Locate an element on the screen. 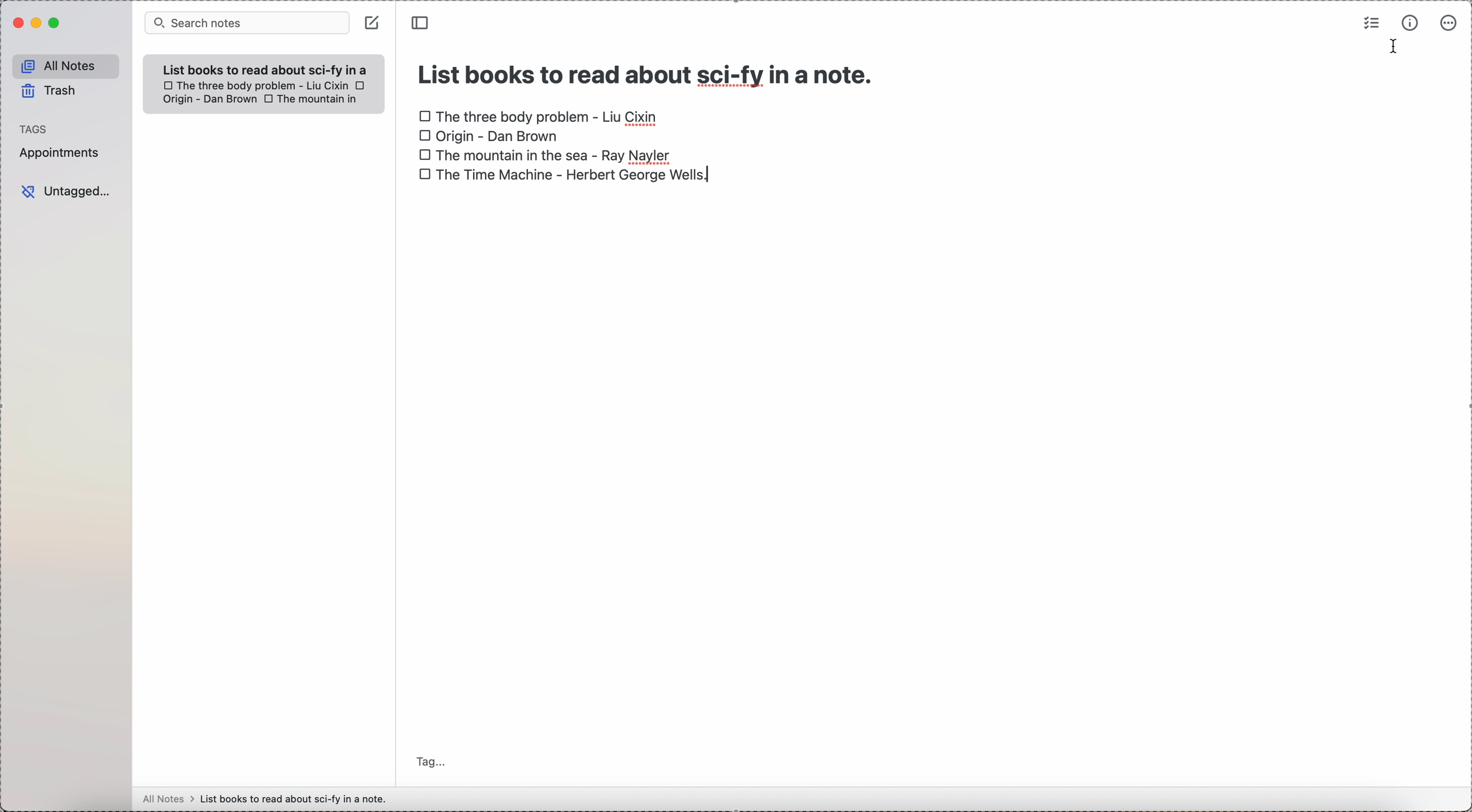  all notes > List books to read about sci-fy in a note. is located at coordinates (268, 798).